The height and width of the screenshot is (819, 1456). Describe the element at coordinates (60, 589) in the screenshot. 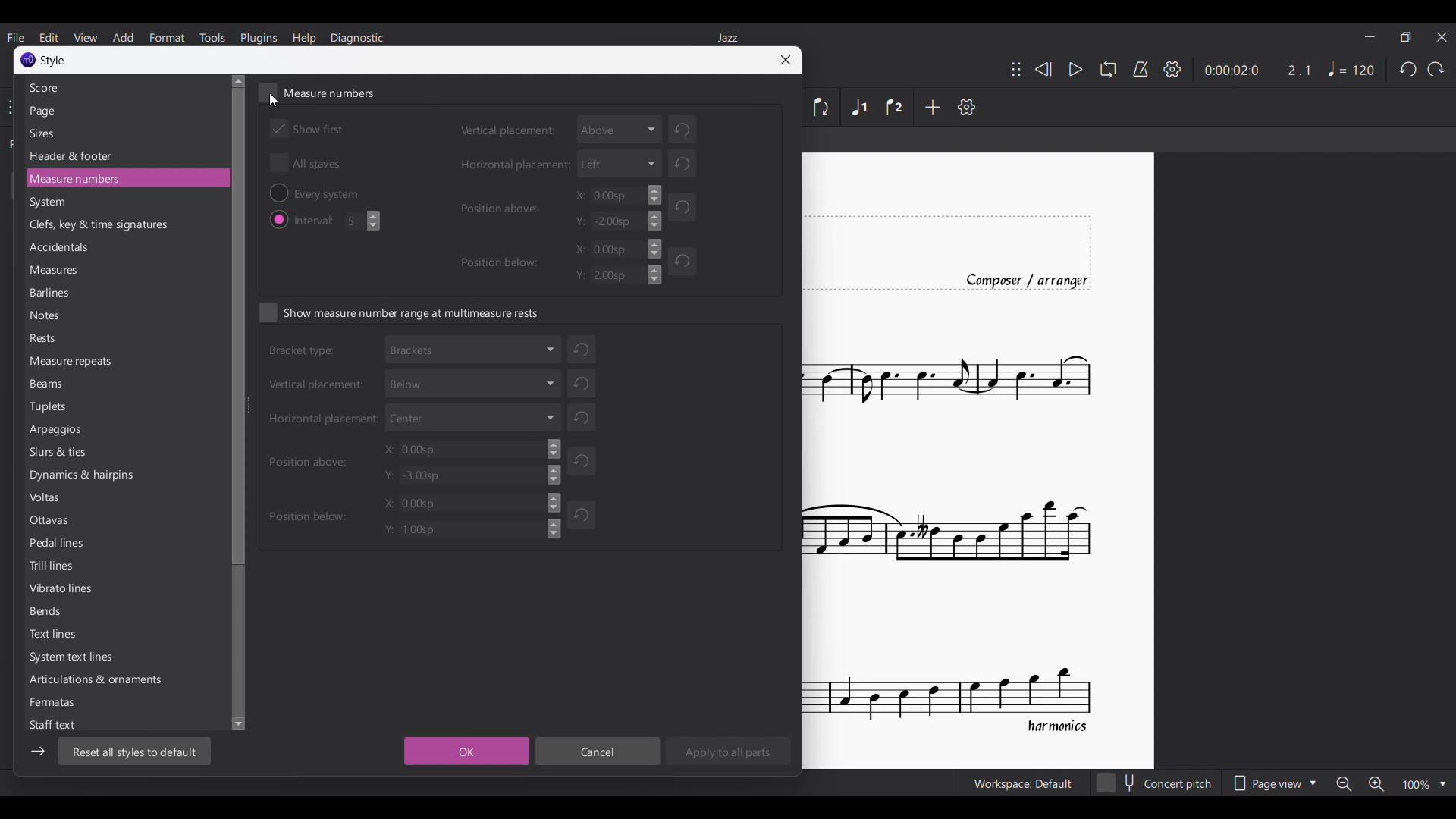

I see `Vibrato` at that location.